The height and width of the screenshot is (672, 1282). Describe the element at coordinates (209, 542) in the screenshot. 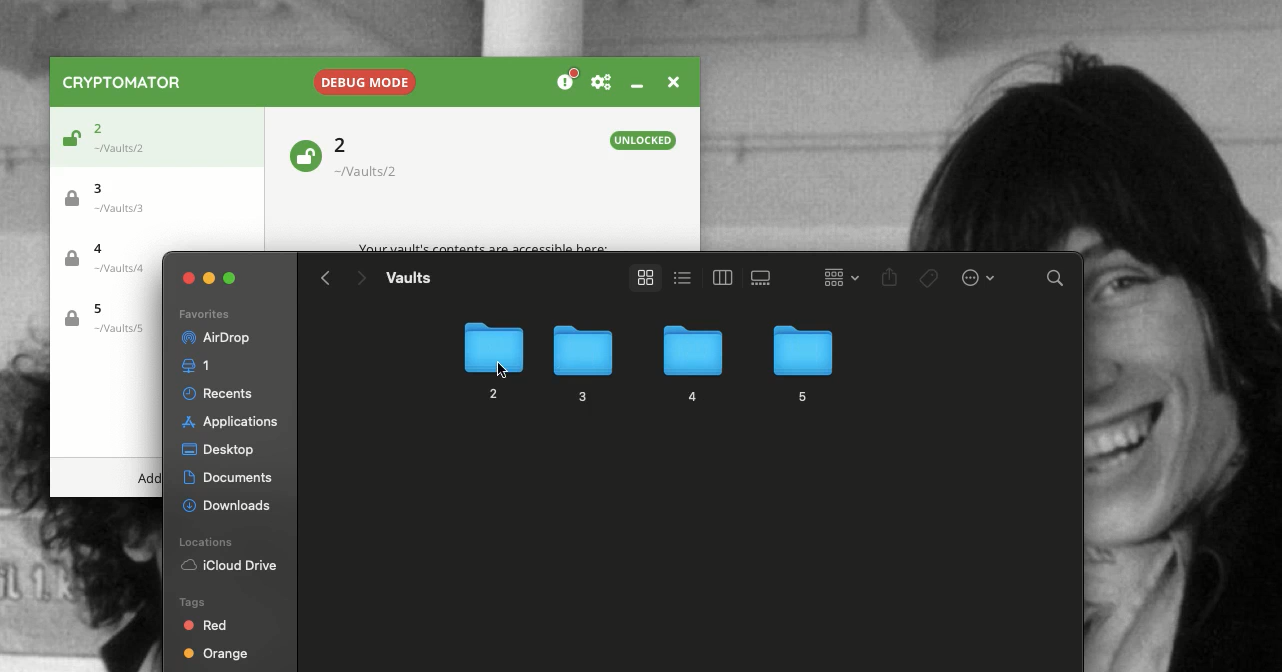

I see `Locations` at that location.